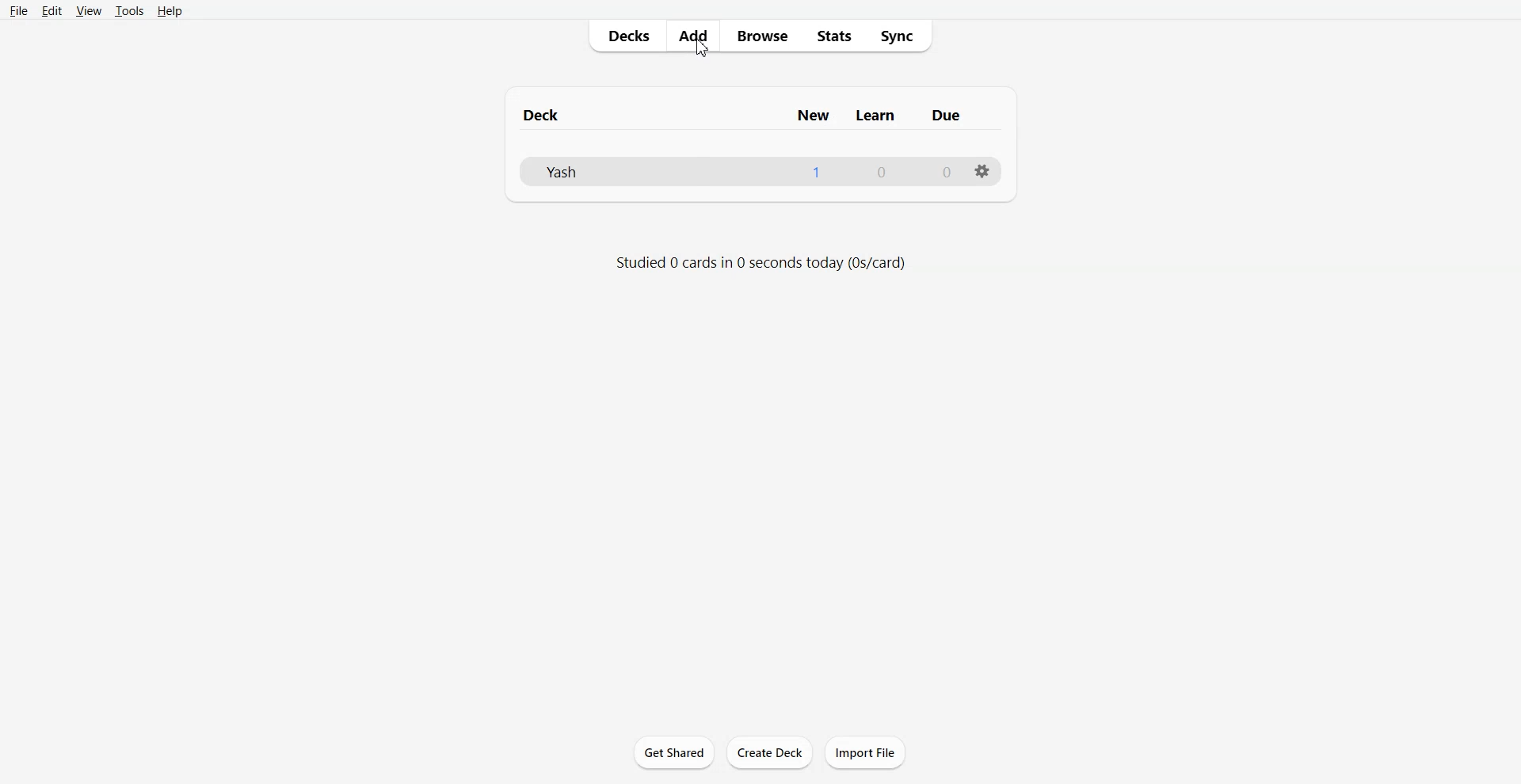 Image resolution: width=1521 pixels, height=784 pixels. I want to click on File, so click(647, 172).